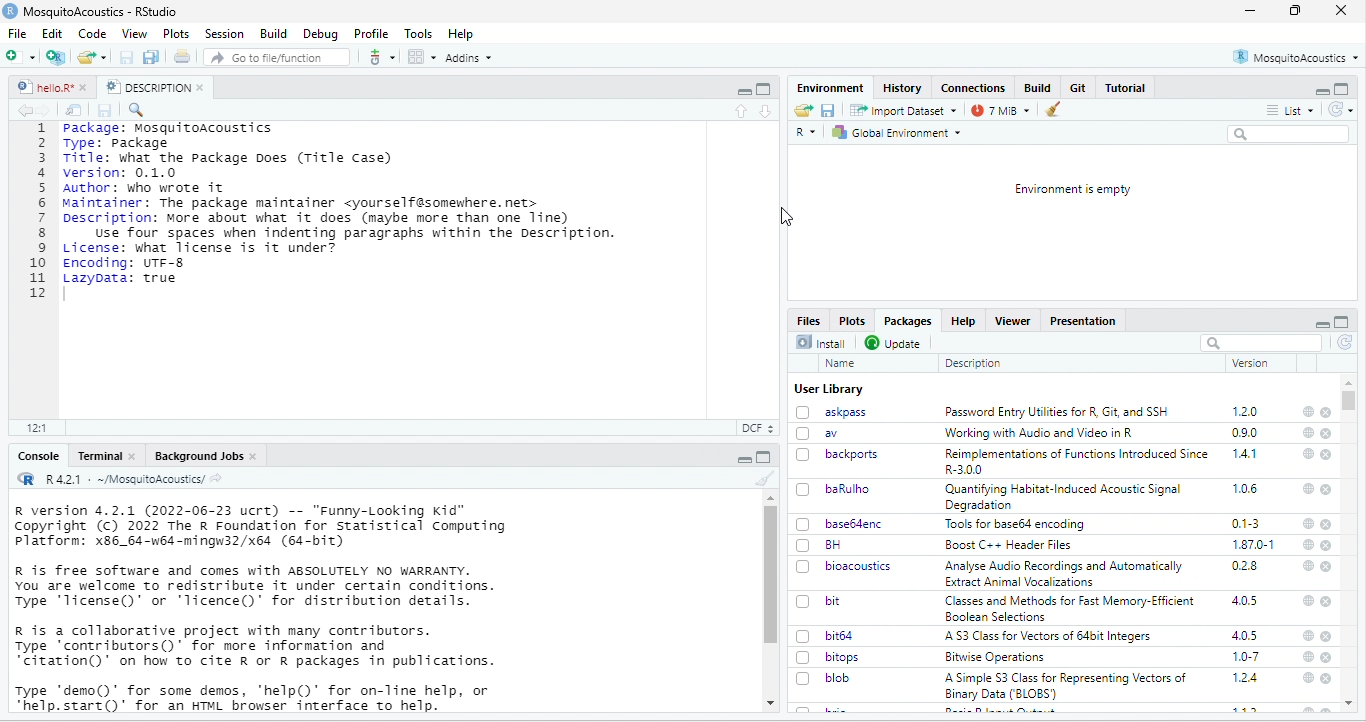 The height and width of the screenshot is (722, 1366). What do you see at coordinates (93, 33) in the screenshot?
I see `Code` at bounding box center [93, 33].